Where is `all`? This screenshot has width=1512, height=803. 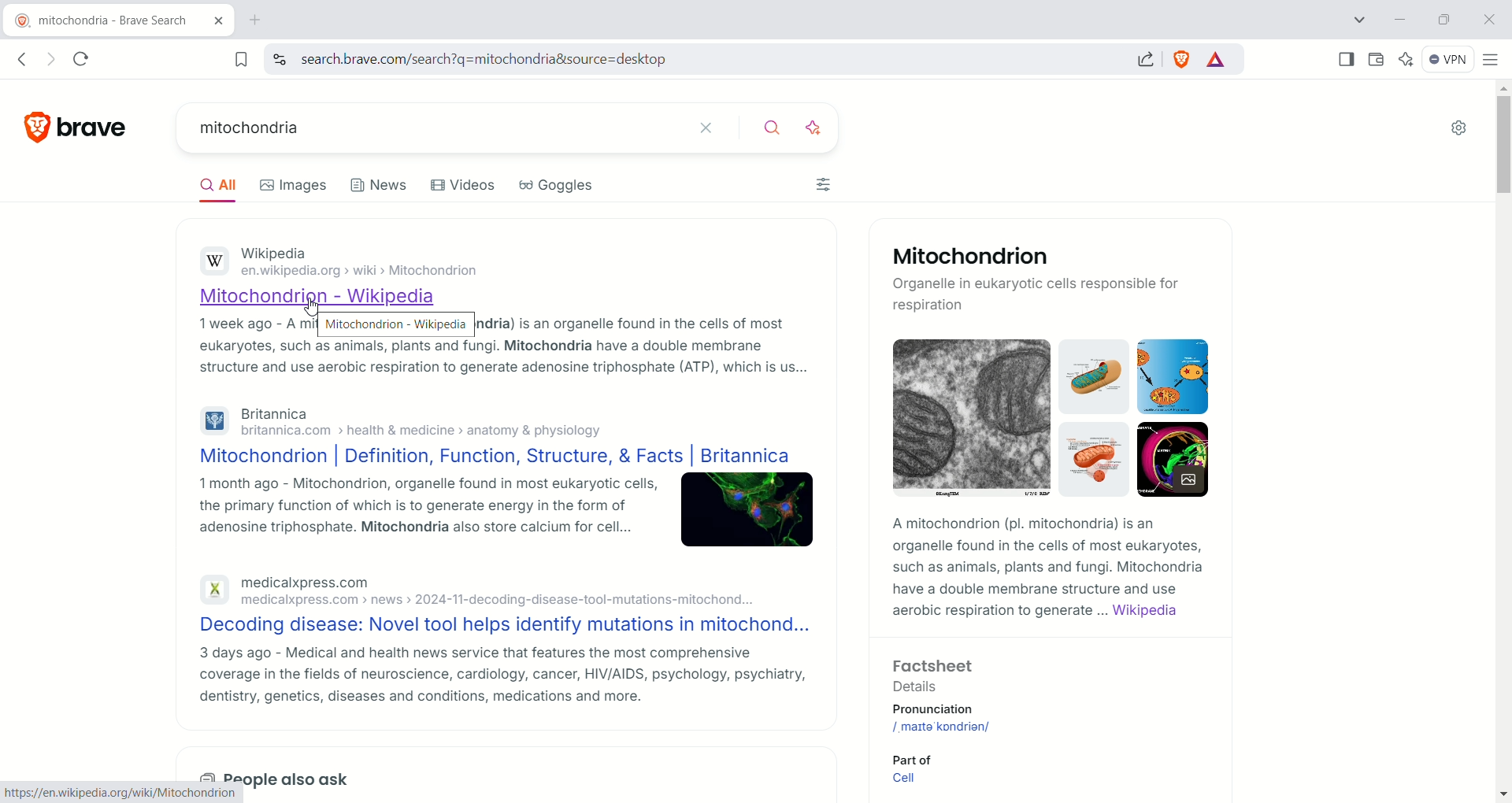
all is located at coordinates (217, 186).